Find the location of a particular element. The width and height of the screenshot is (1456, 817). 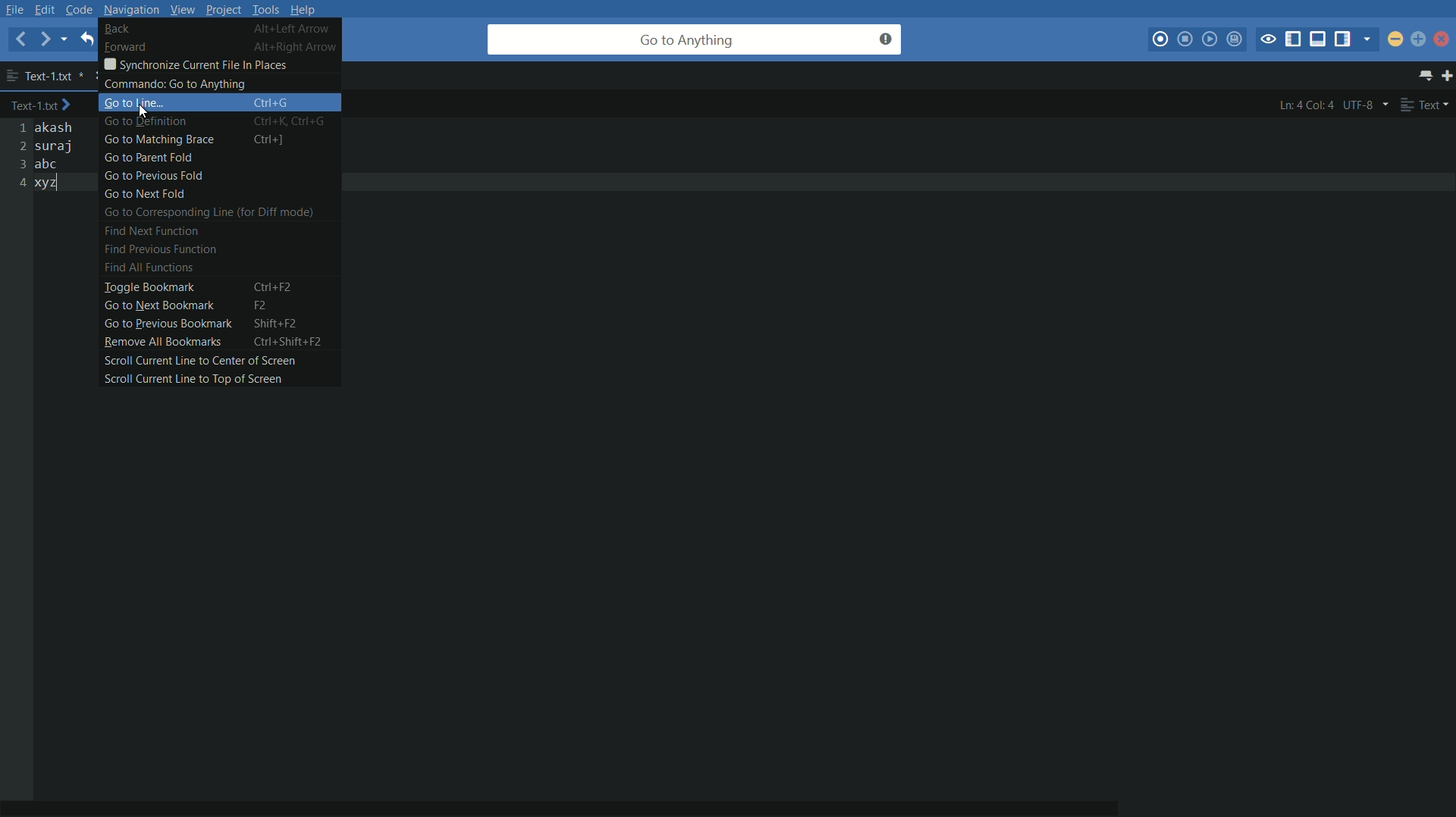

project  is located at coordinates (222, 11).